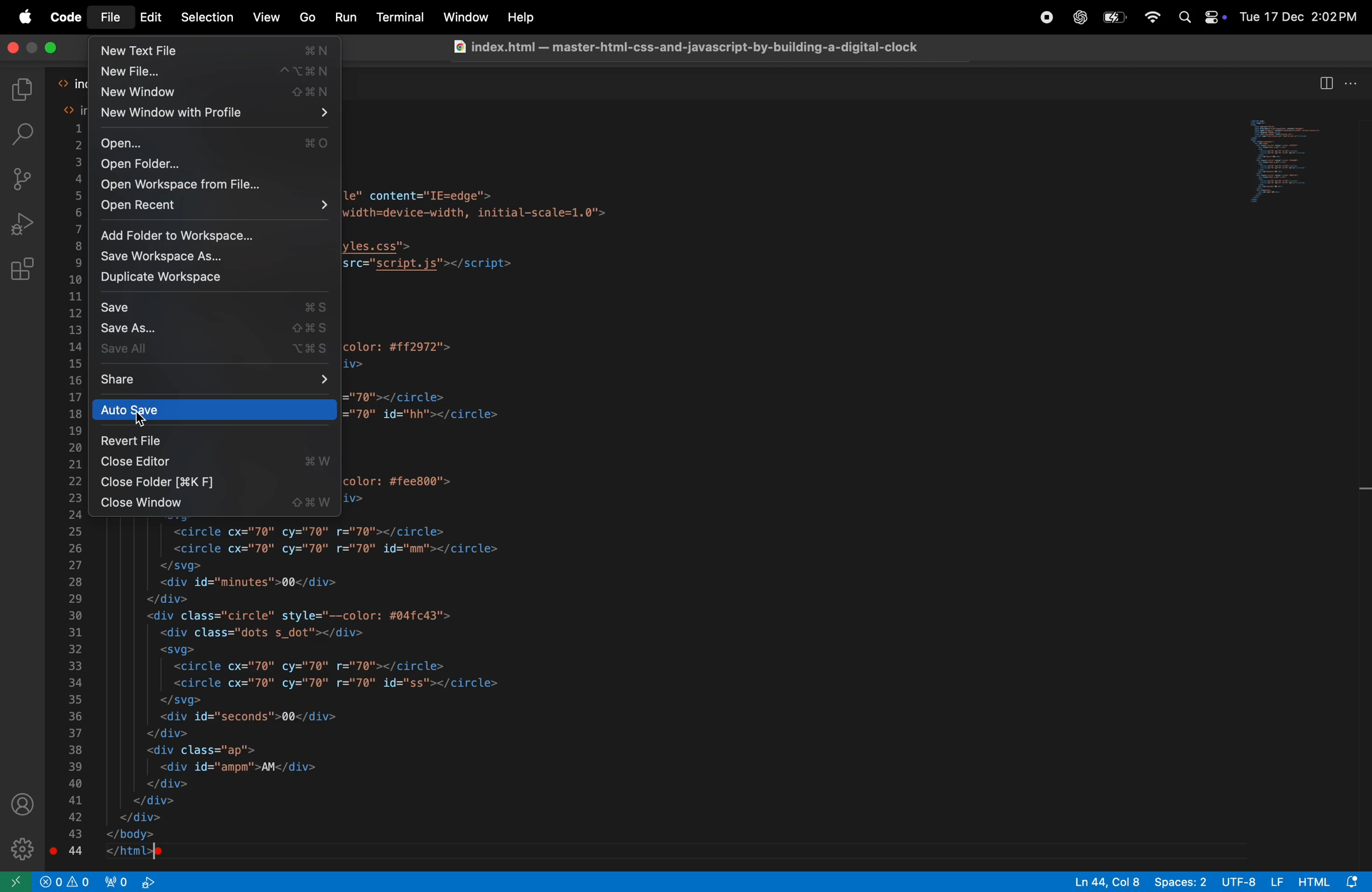 Image resolution: width=1372 pixels, height=892 pixels. Describe the element at coordinates (143, 423) in the screenshot. I see `Cursor` at that location.